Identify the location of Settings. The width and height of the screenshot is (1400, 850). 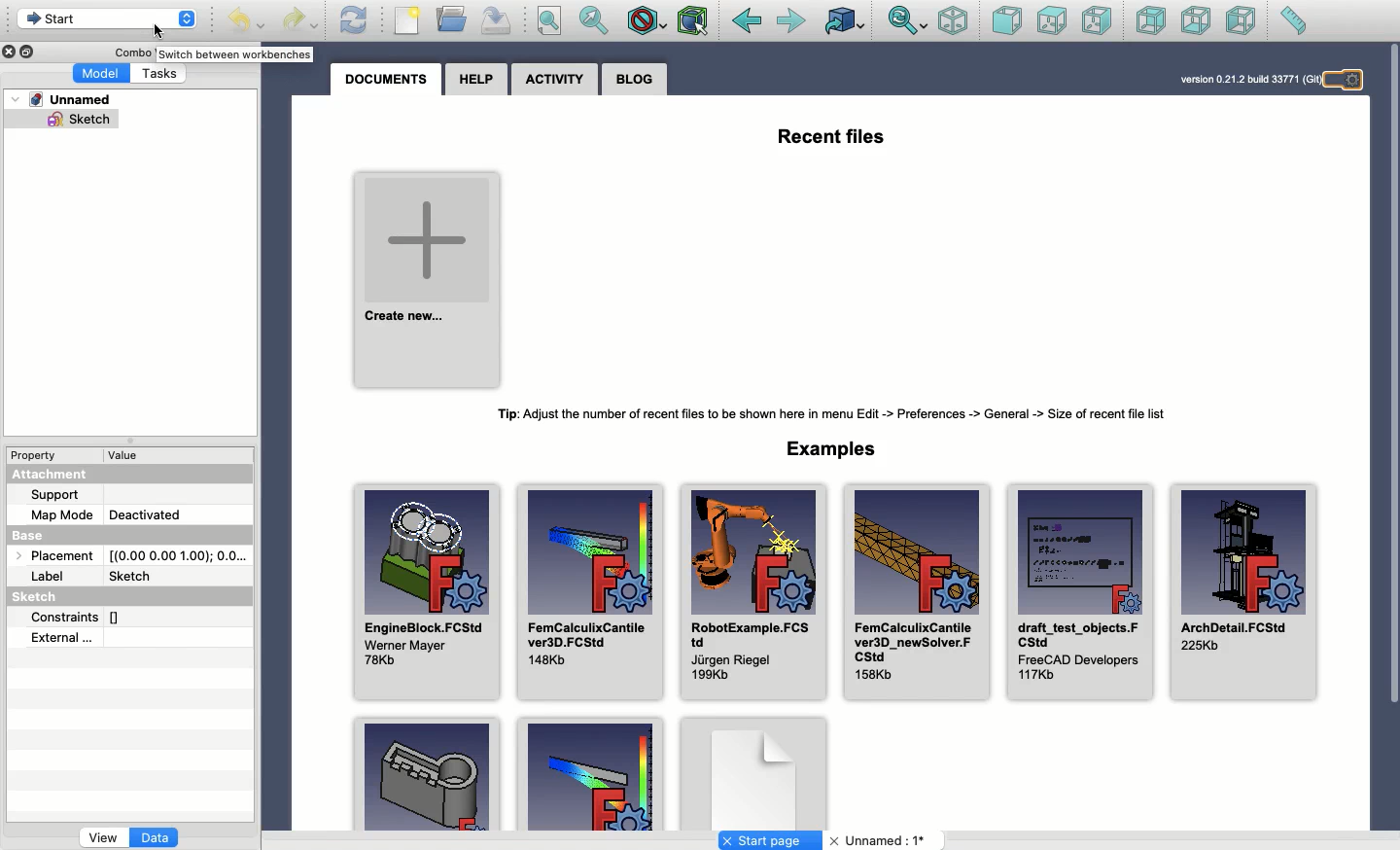
(1348, 81).